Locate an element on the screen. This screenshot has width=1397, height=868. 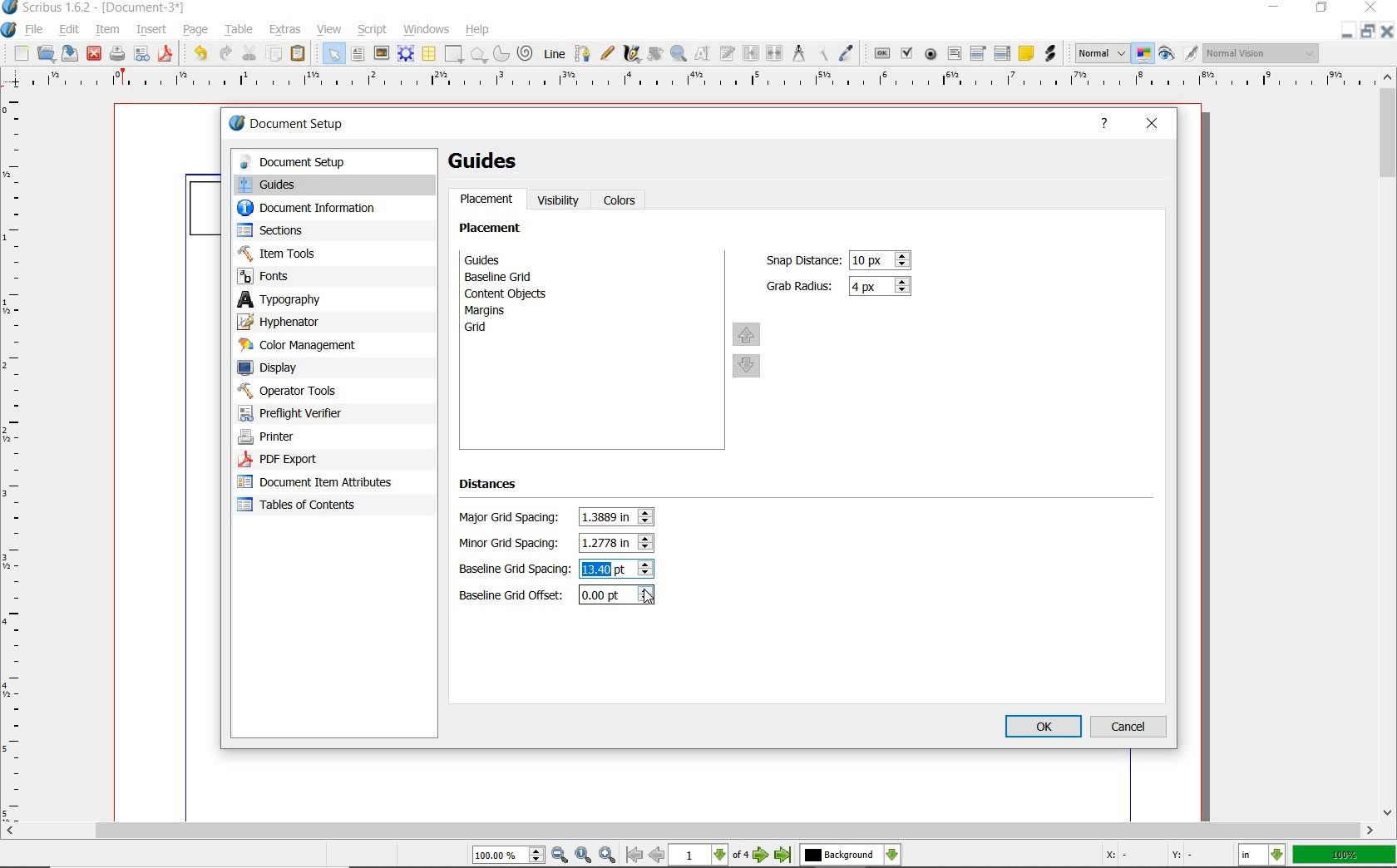
freehand line is located at coordinates (608, 54).